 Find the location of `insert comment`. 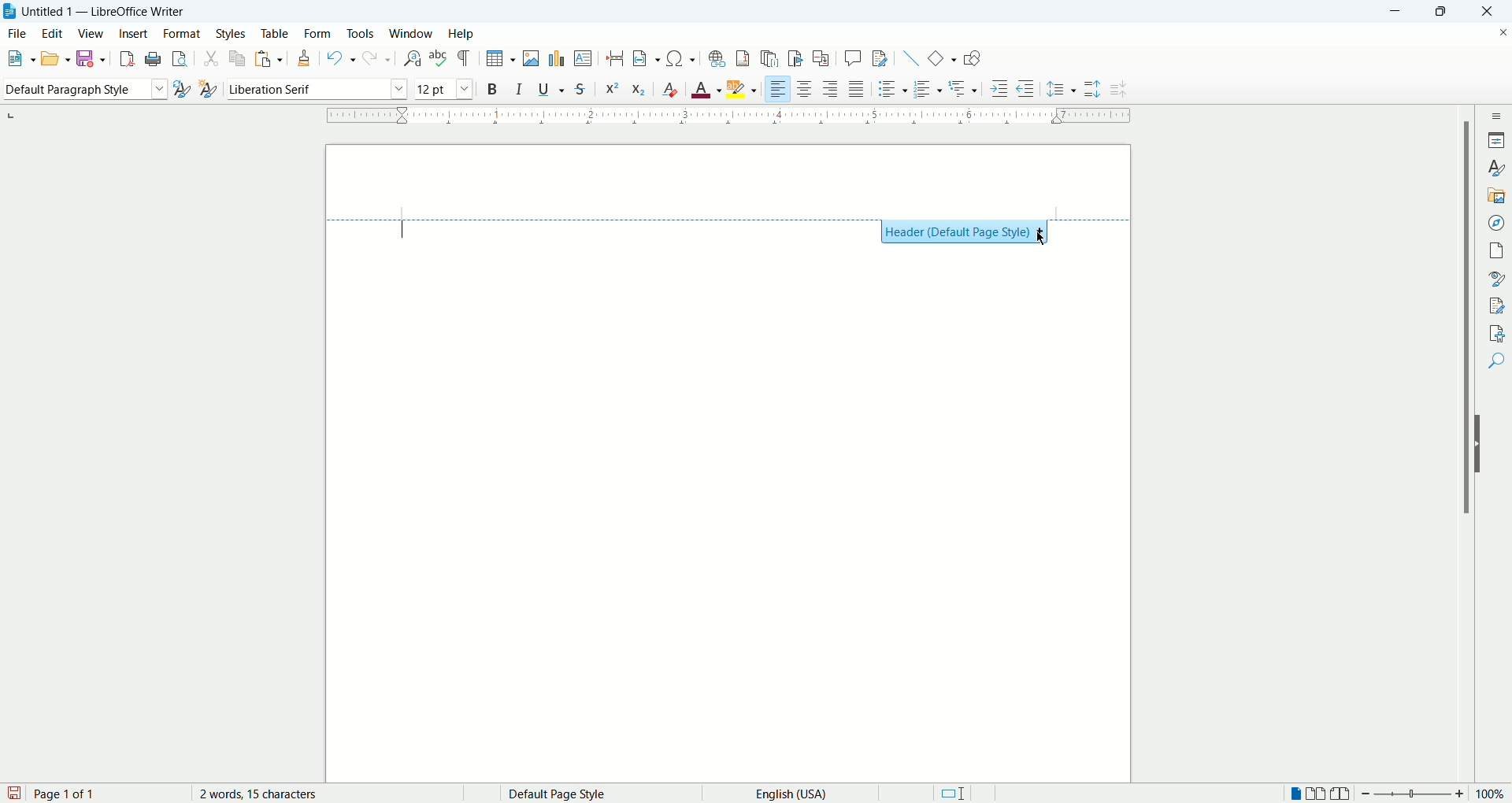

insert comment is located at coordinates (854, 57).